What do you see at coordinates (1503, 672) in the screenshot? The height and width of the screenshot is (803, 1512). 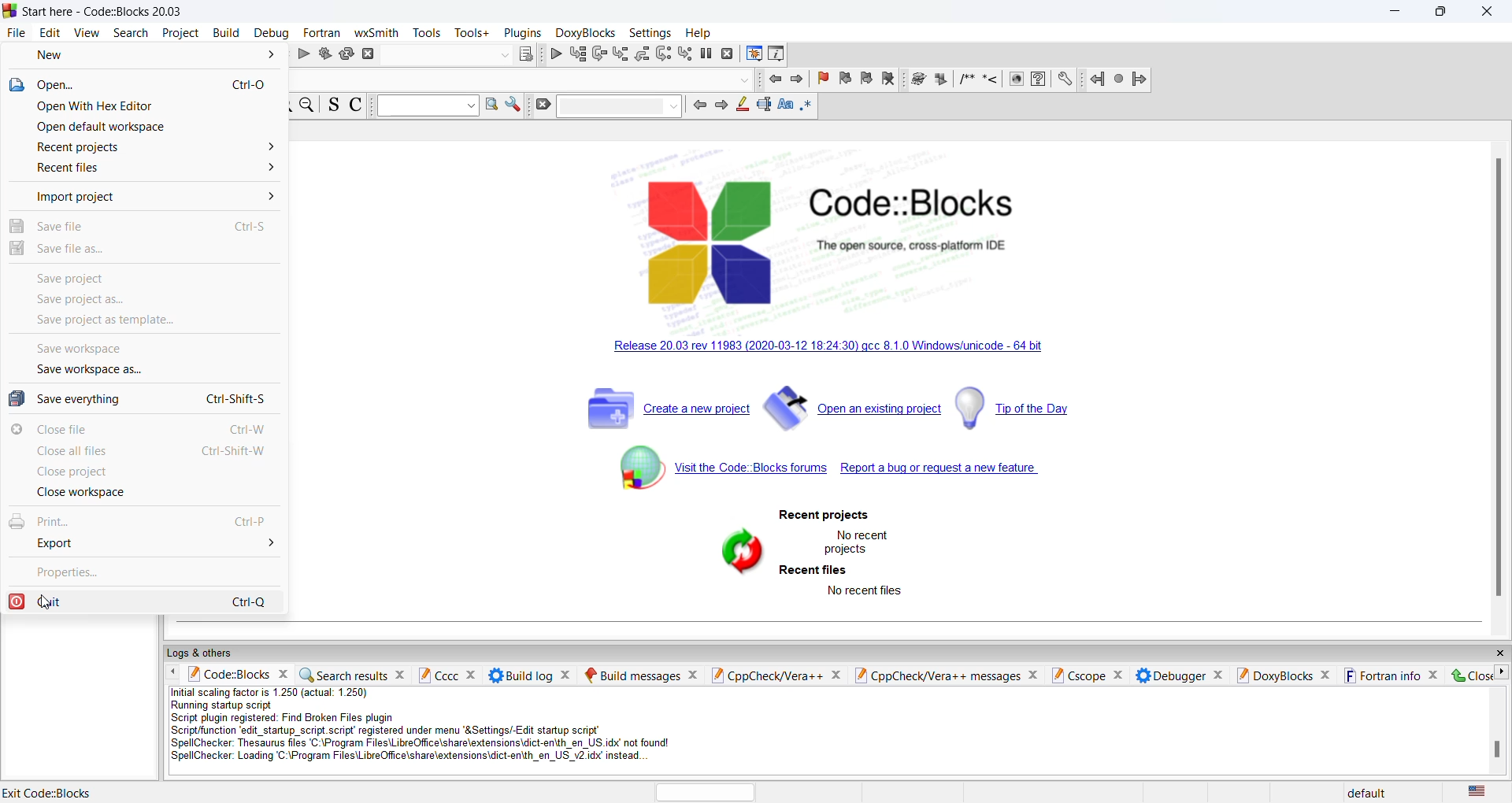 I see `move right` at bounding box center [1503, 672].